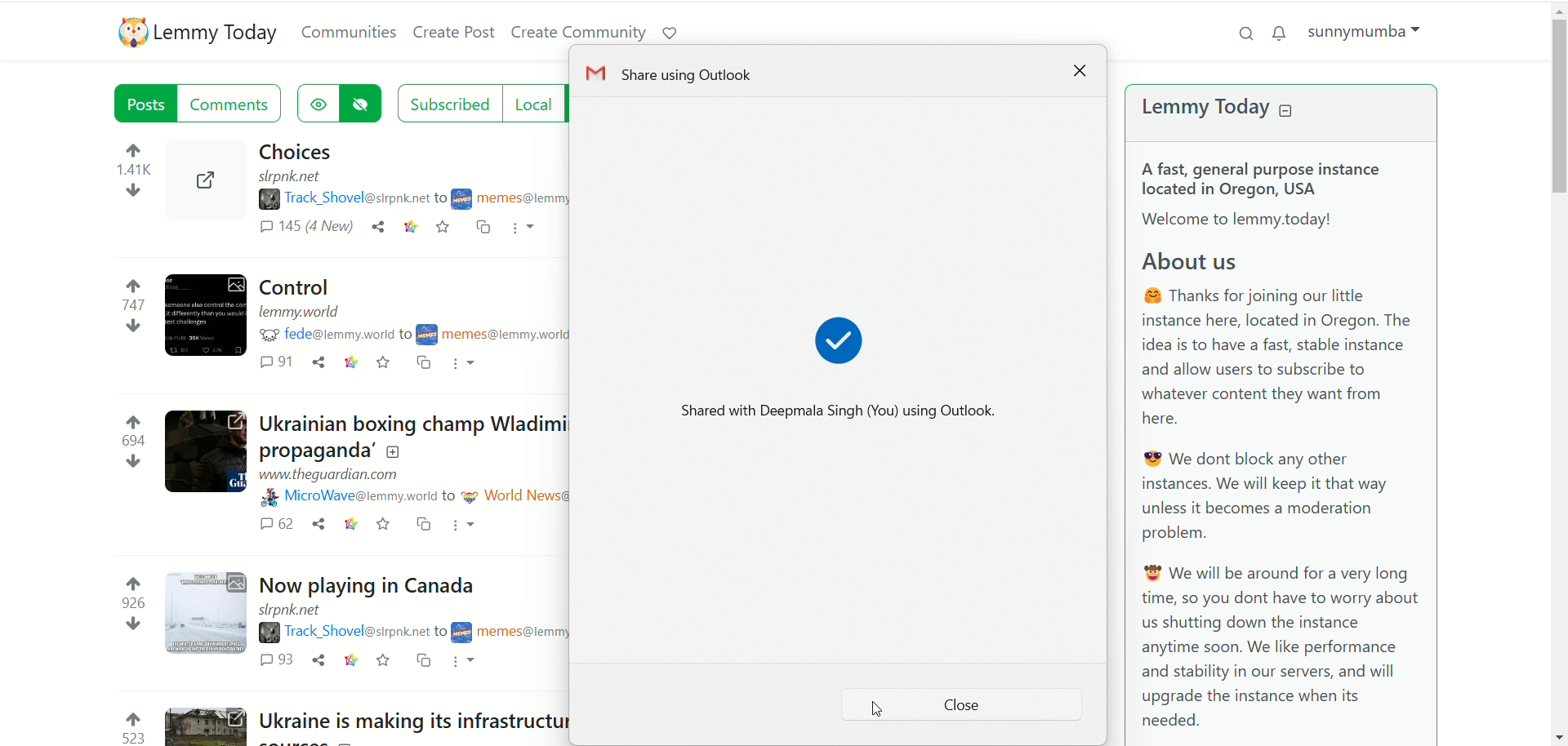 The image size is (1568, 746). Describe the element at coordinates (376, 229) in the screenshot. I see `share` at that location.